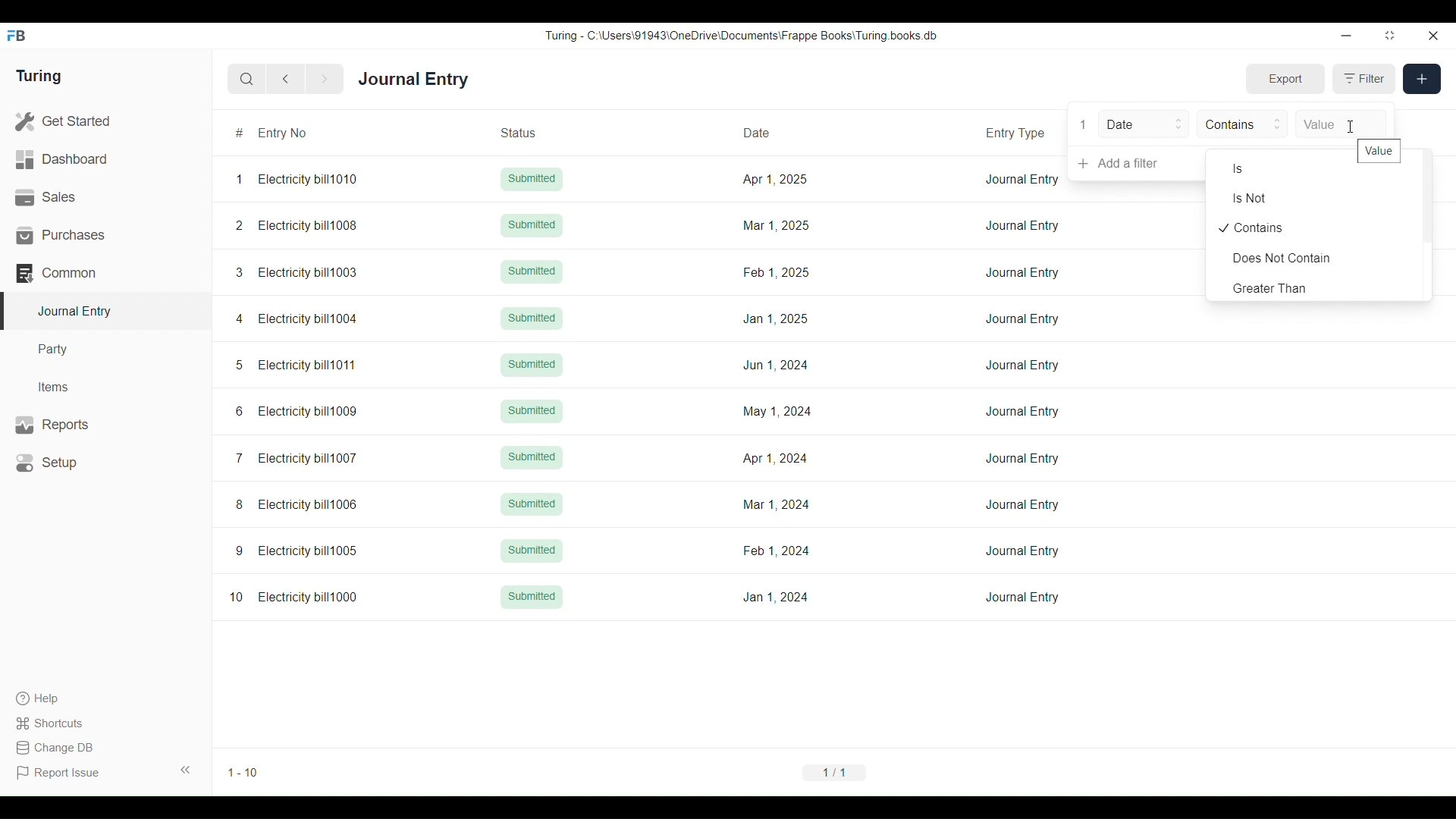 This screenshot has height=819, width=1456. Describe the element at coordinates (105, 350) in the screenshot. I see `Party` at that location.